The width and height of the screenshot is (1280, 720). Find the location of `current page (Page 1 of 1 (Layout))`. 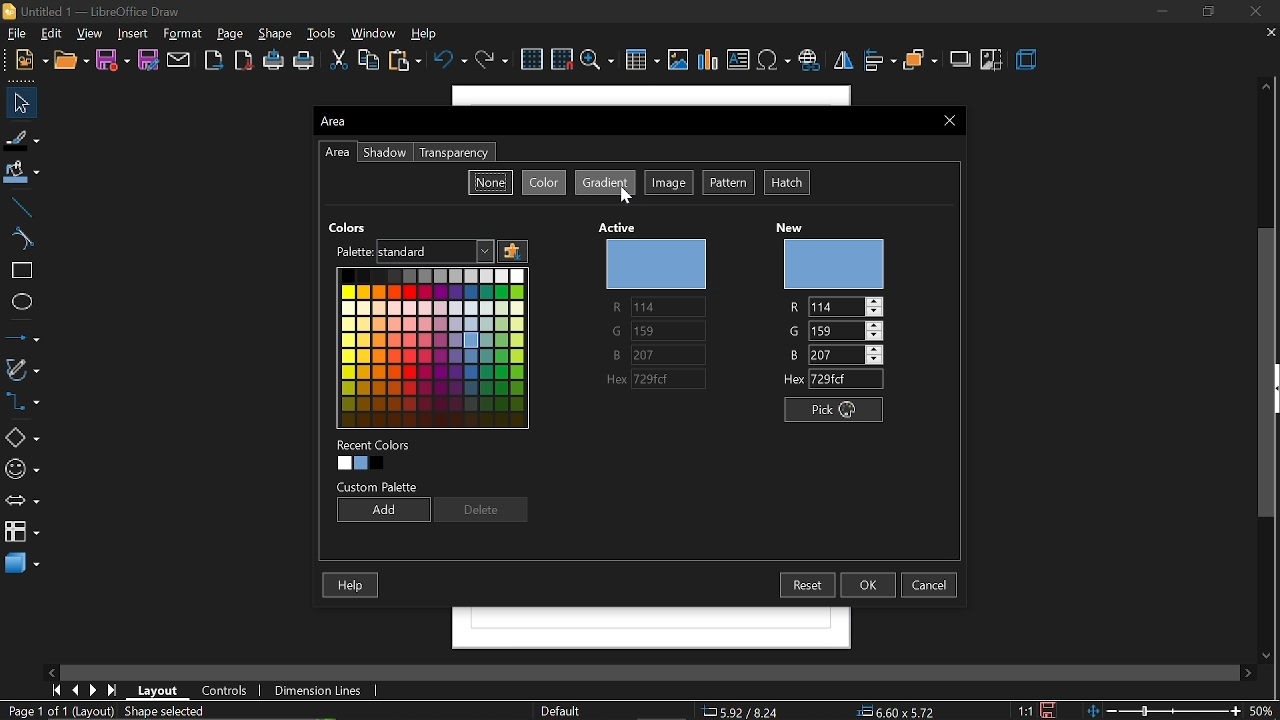

current page (Page 1 of 1 (Layout)) is located at coordinates (57, 712).